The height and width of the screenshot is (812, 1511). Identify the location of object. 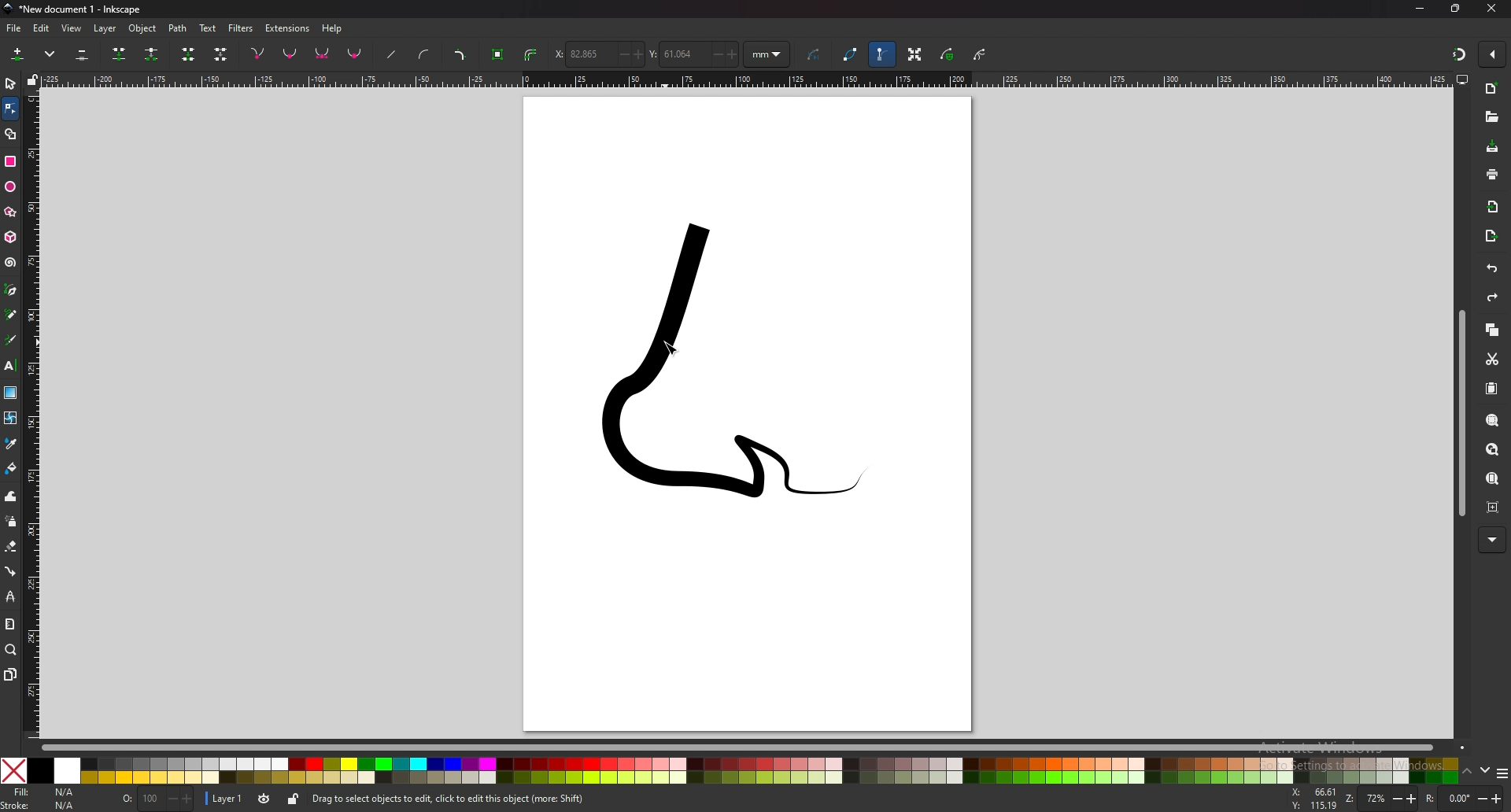
(145, 28).